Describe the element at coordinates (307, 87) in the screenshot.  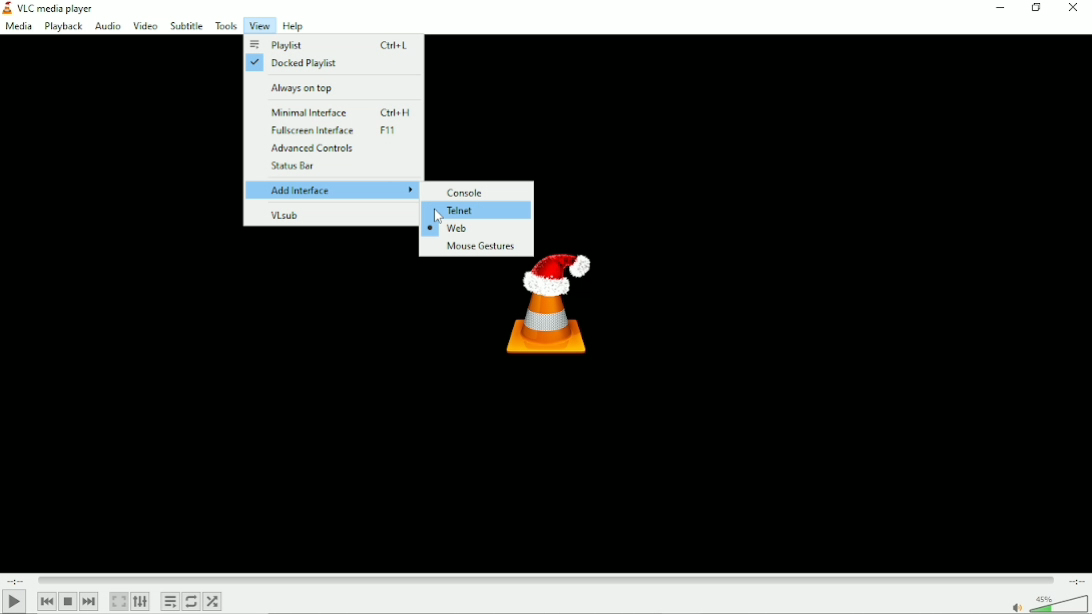
I see `Always on top` at that location.